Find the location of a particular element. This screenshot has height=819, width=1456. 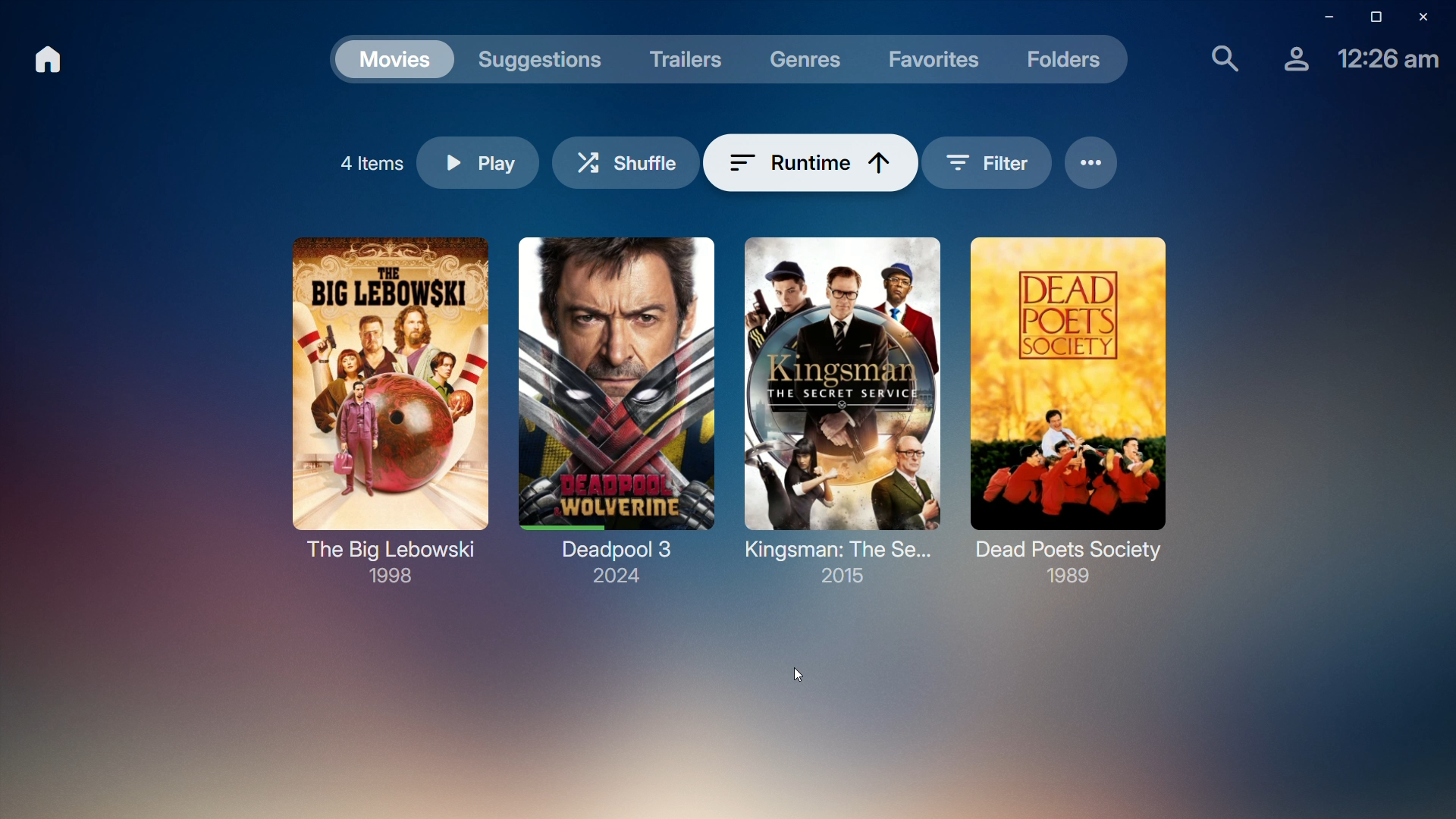

Trailers is located at coordinates (686, 57).